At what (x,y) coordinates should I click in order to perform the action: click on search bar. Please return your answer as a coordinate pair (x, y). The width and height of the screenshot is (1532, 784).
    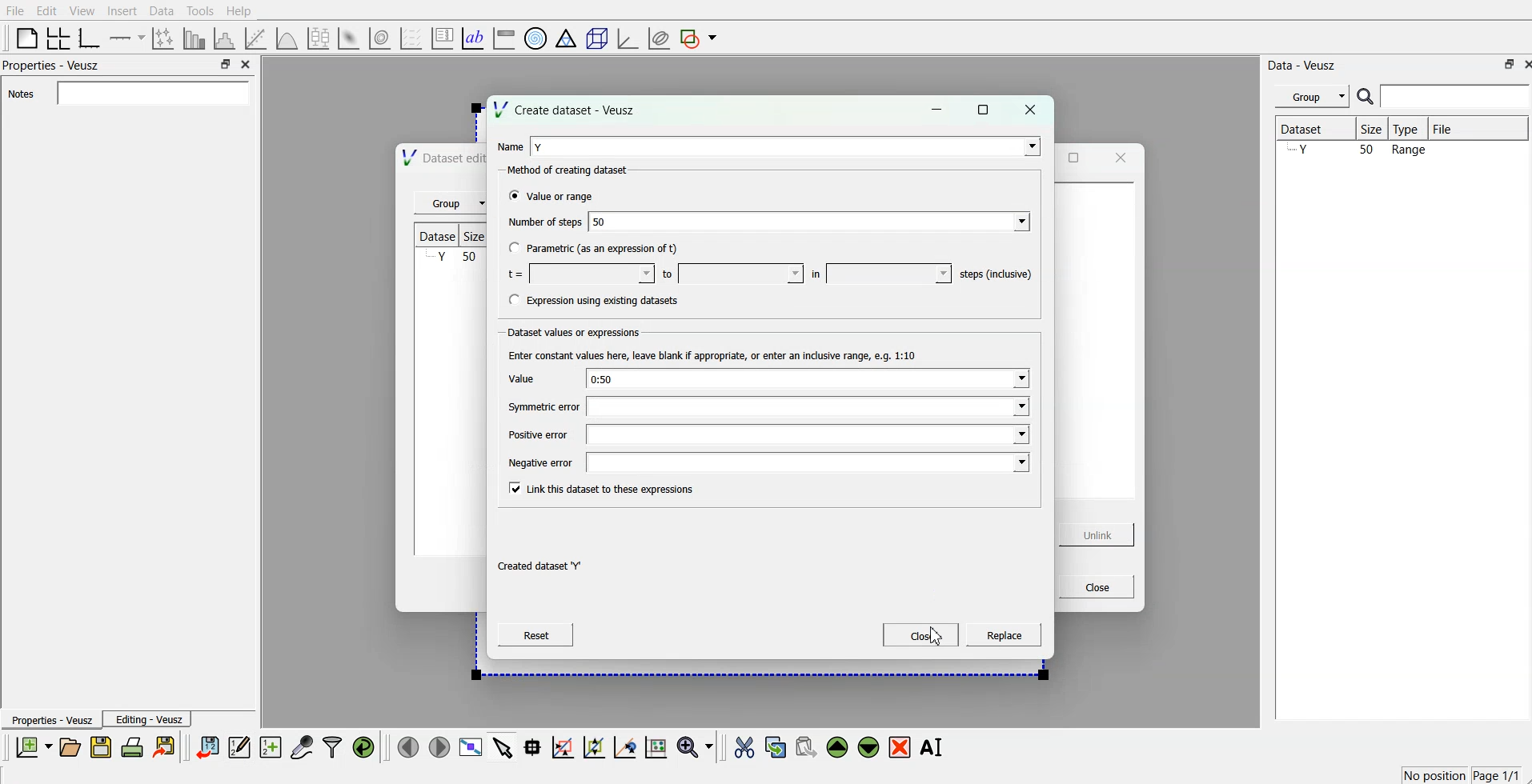
    Looking at the image, I should click on (1443, 96).